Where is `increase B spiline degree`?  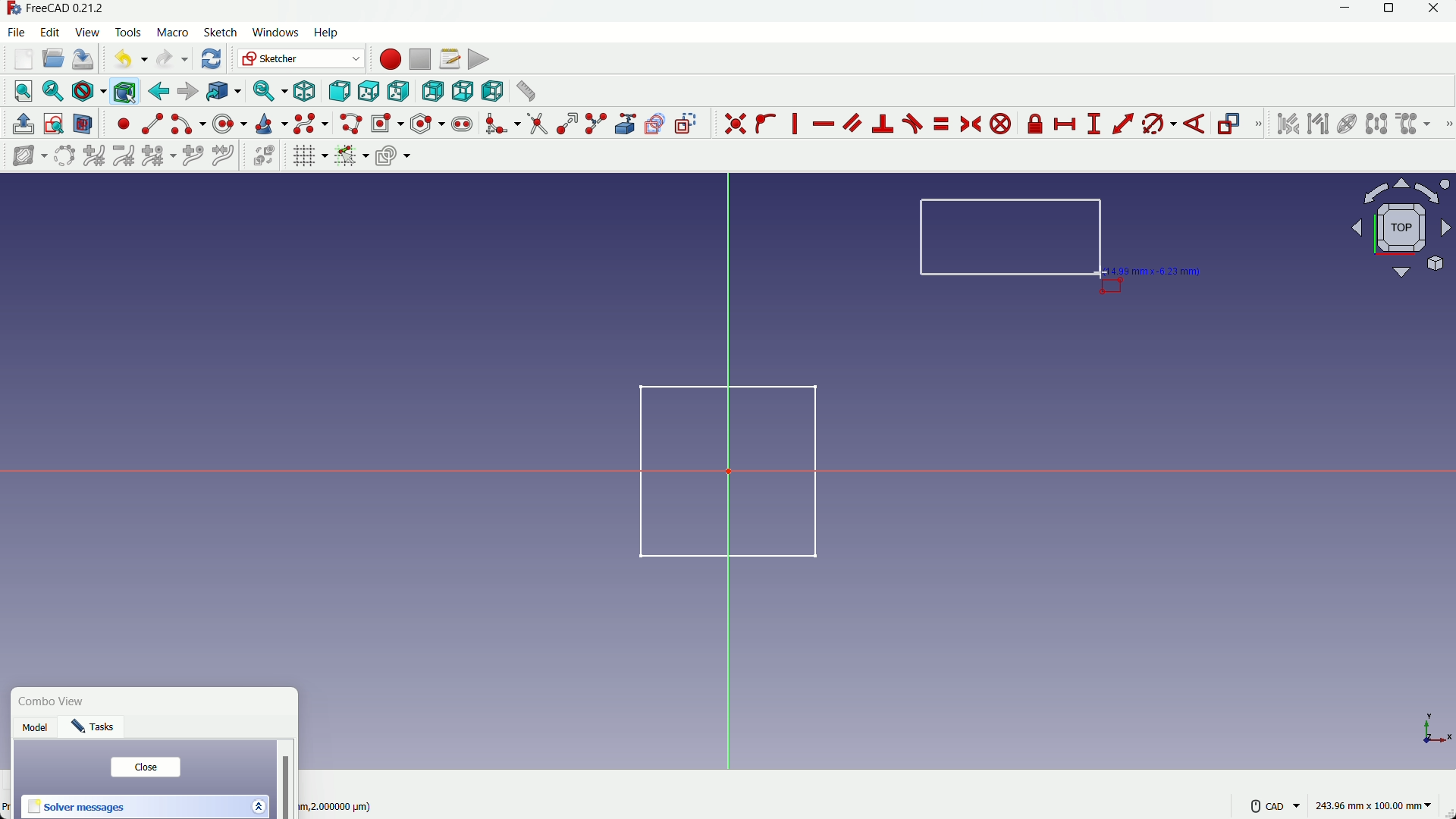 increase B spiline degree is located at coordinates (96, 156).